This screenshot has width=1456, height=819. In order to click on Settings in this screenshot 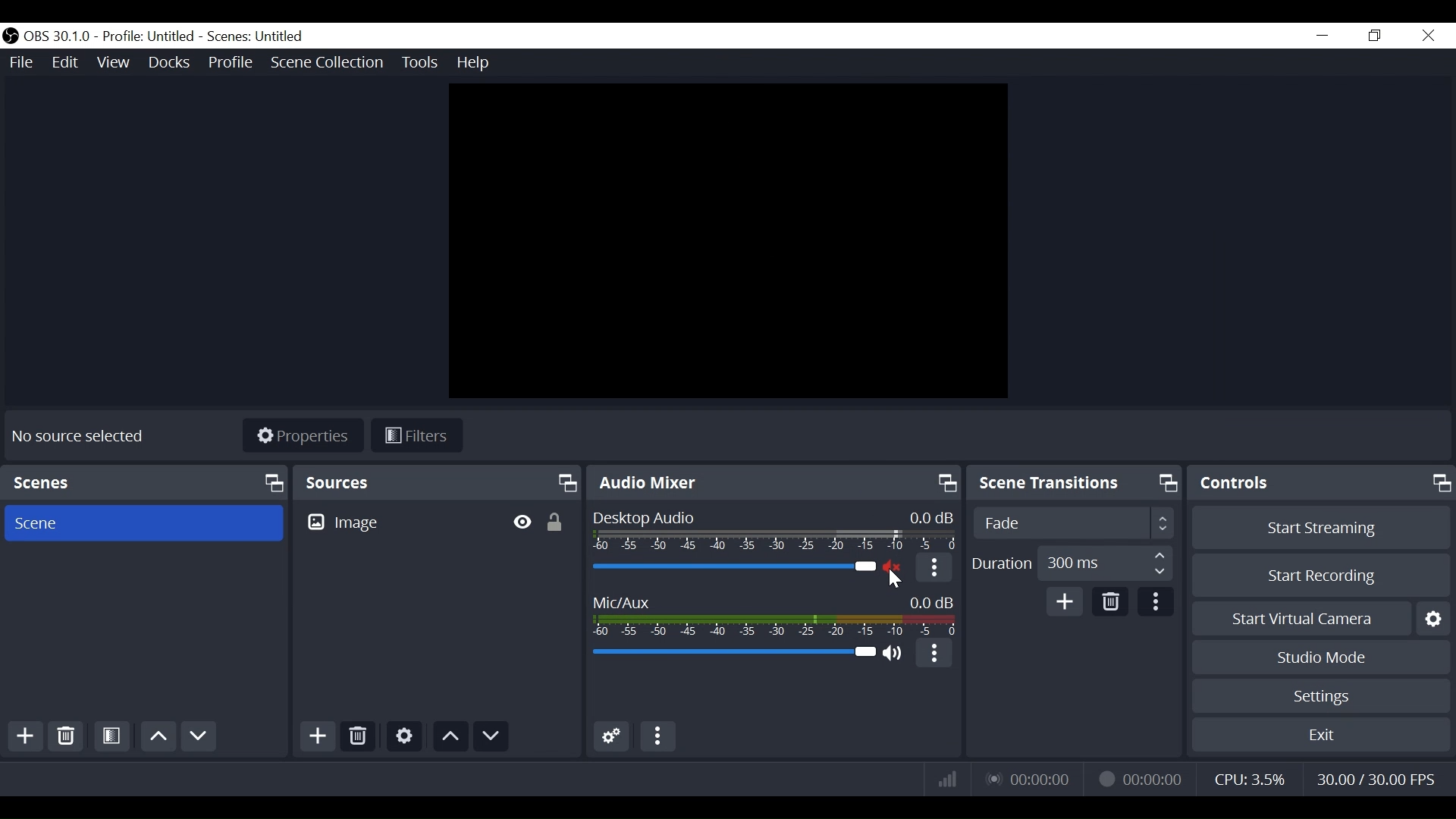, I will do `click(403, 736)`.